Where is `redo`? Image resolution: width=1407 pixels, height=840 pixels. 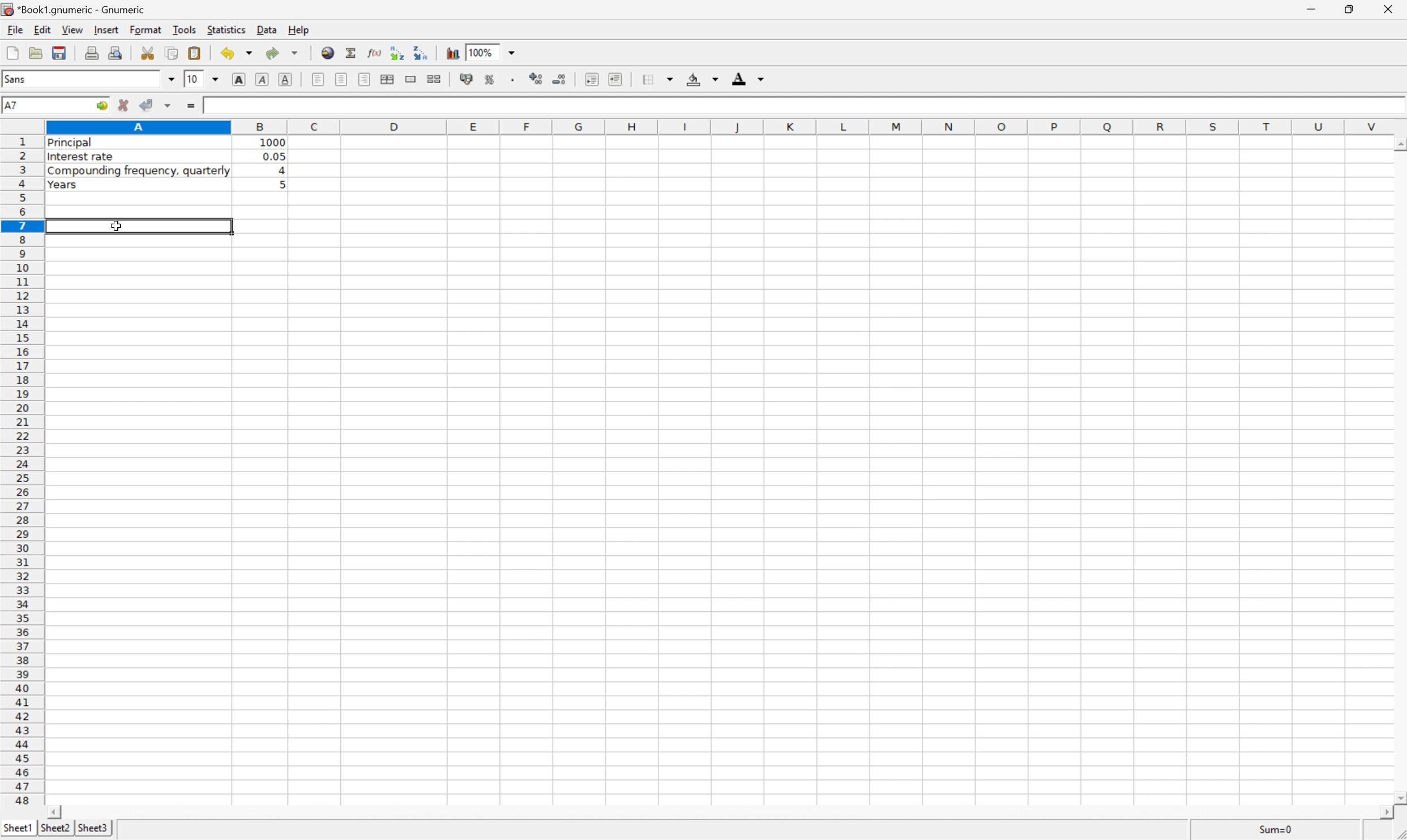
redo is located at coordinates (283, 52).